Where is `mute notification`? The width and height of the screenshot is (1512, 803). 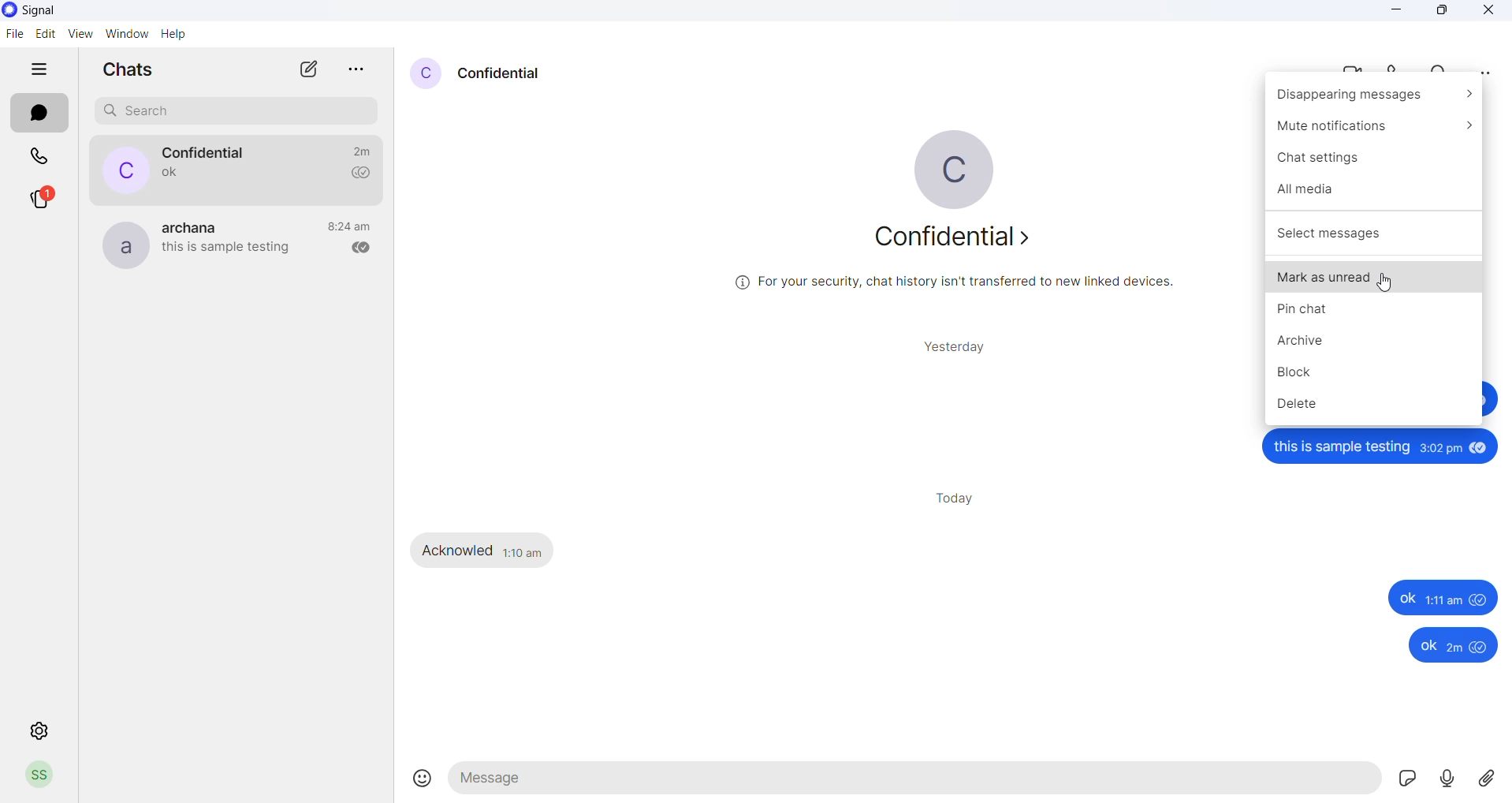 mute notification is located at coordinates (1376, 126).